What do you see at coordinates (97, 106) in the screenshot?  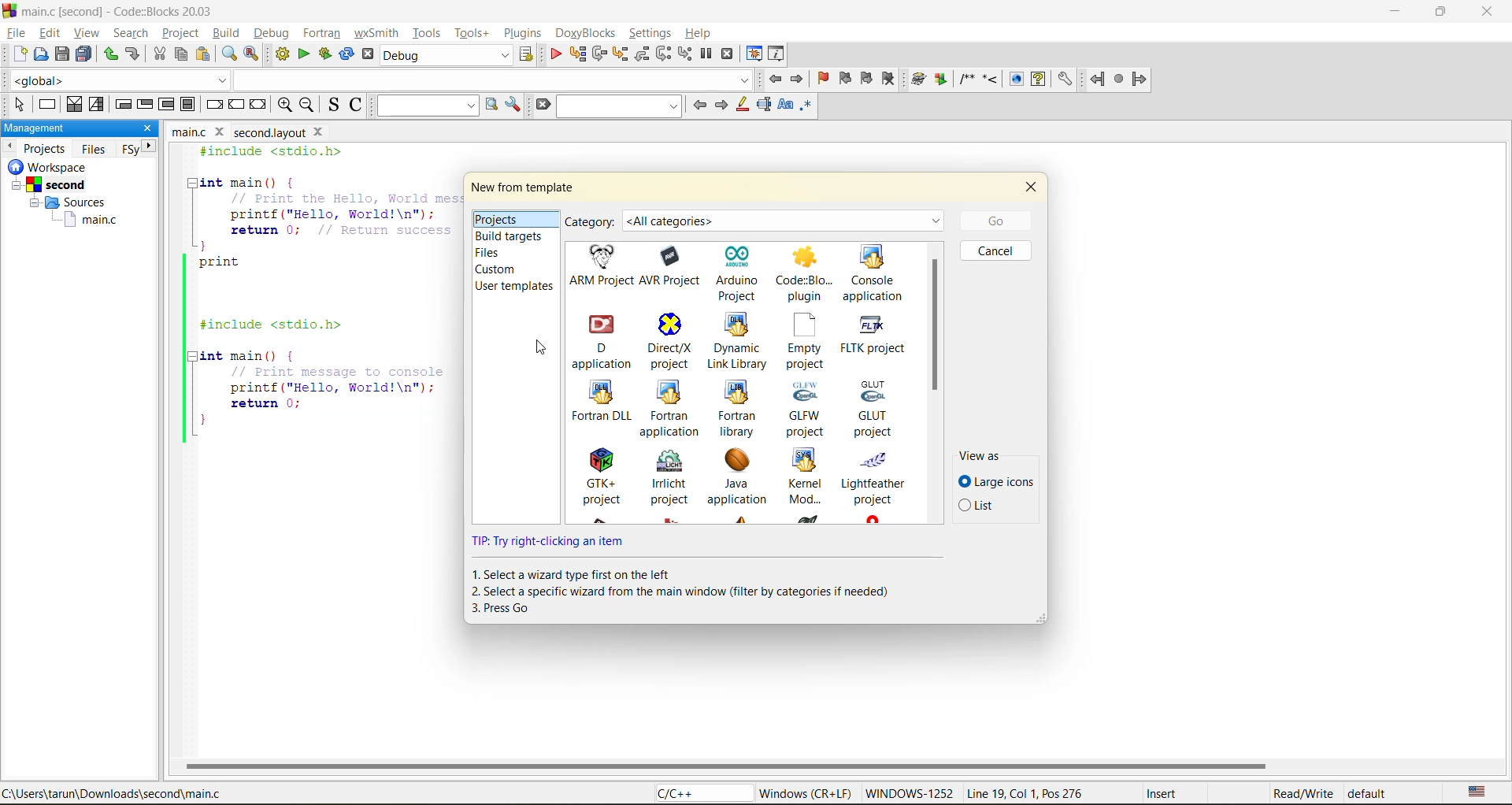 I see `selection` at bounding box center [97, 106].